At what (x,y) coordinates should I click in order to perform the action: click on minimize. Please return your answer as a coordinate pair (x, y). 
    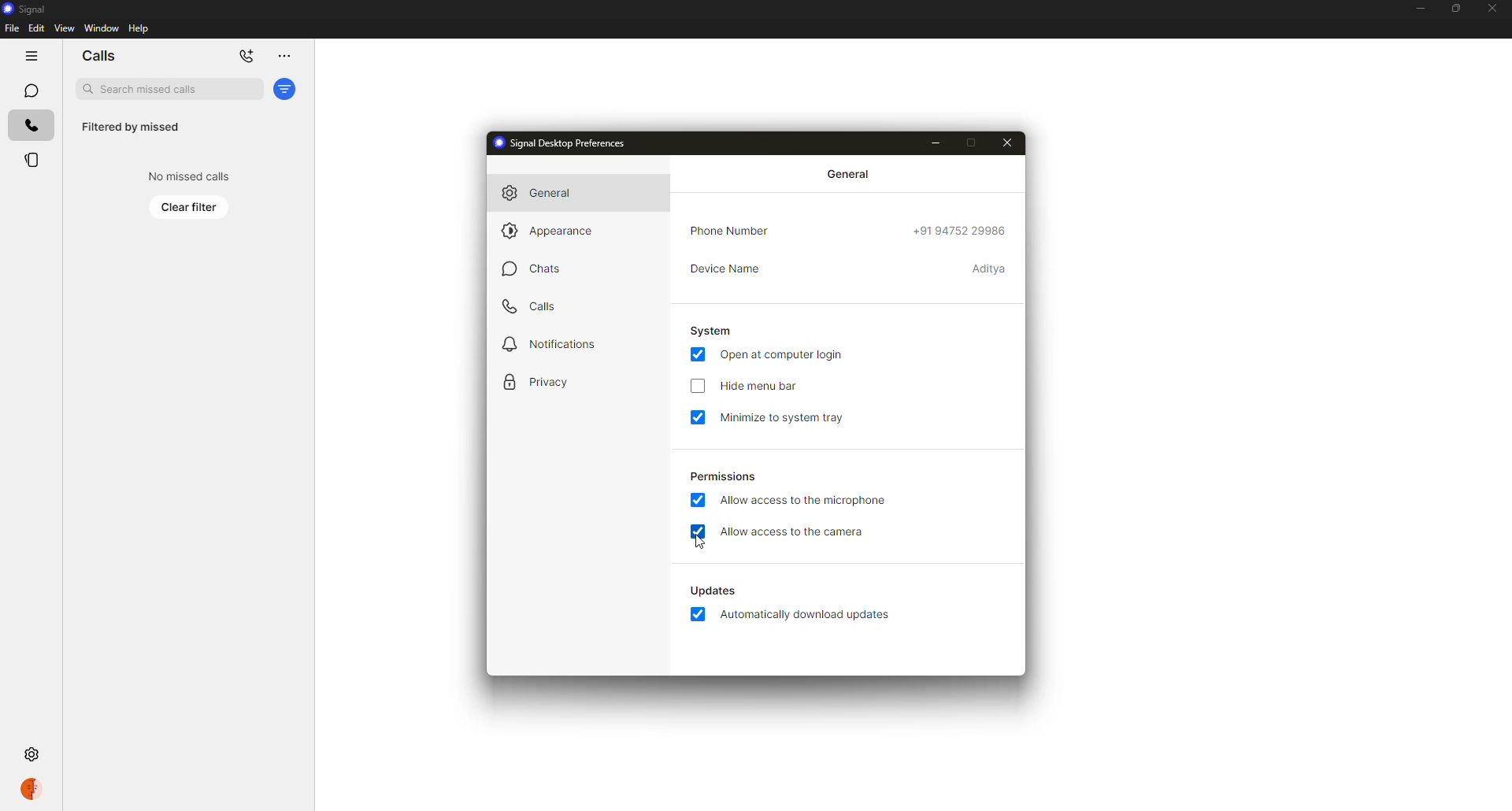
    Looking at the image, I should click on (1415, 9).